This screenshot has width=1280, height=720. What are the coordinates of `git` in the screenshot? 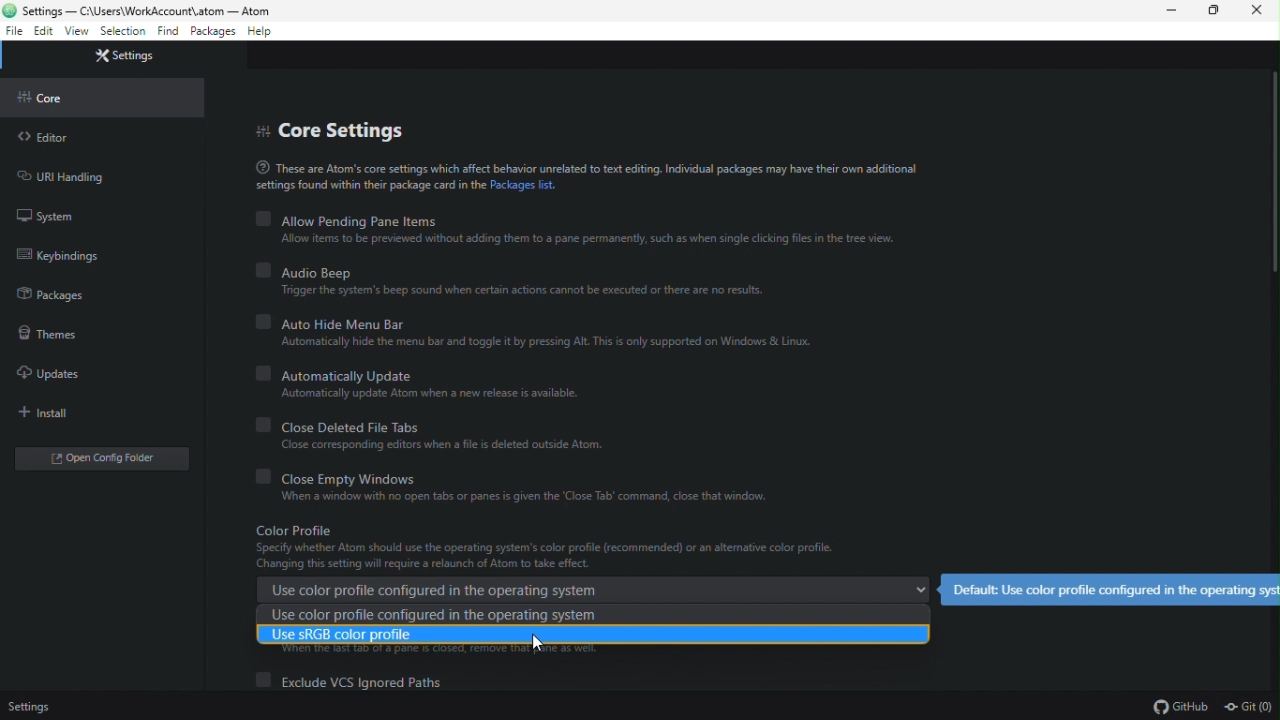 It's located at (1250, 705).